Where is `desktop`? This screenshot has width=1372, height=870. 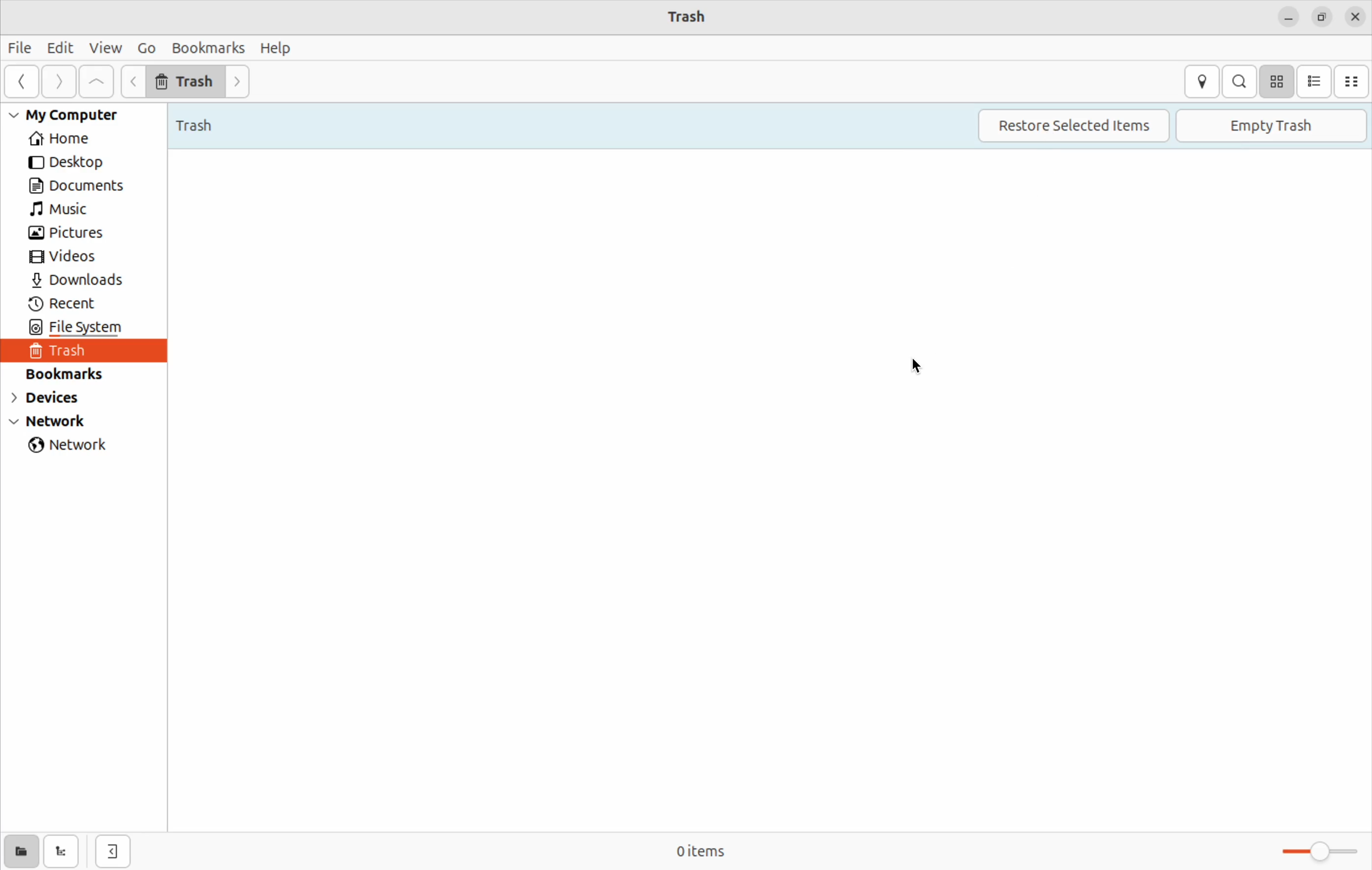 desktop is located at coordinates (73, 163).